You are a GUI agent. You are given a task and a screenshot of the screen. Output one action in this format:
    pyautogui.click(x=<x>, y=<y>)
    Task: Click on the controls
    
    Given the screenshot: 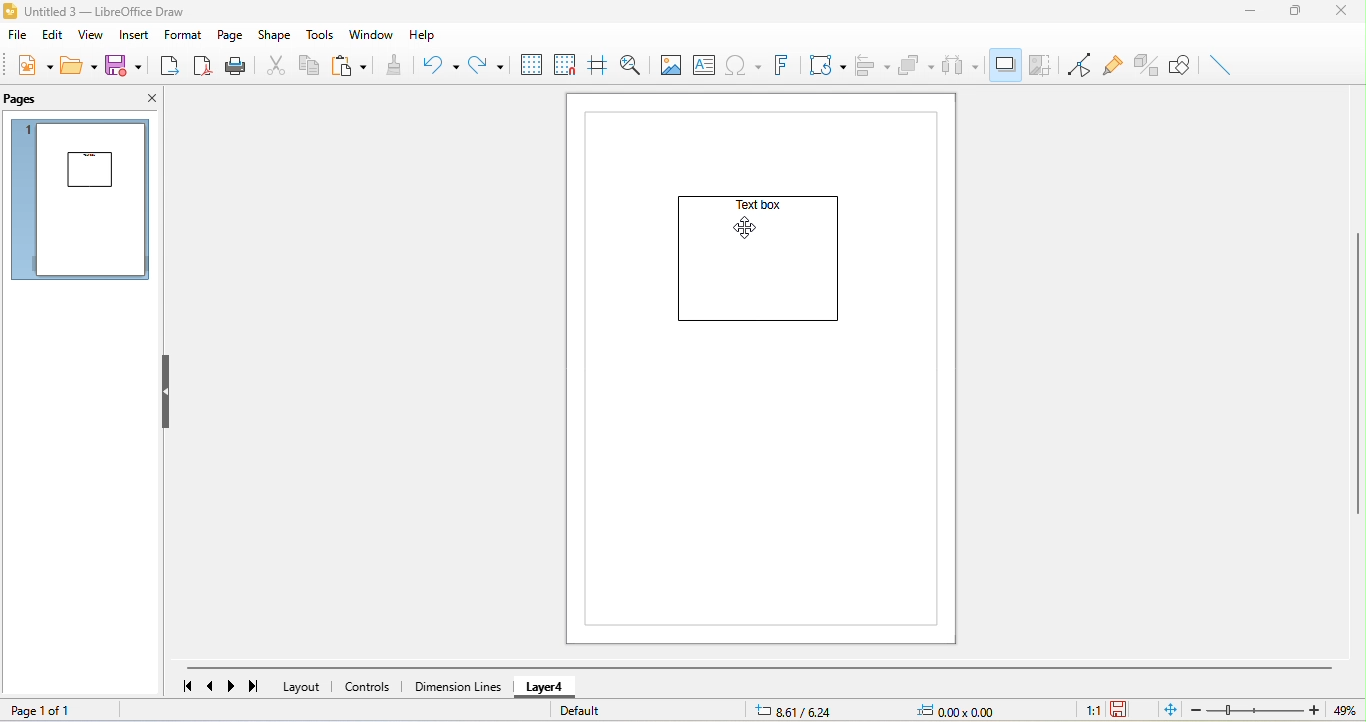 What is the action you would take?
    pyautogui.click(x=368, y=688)
    